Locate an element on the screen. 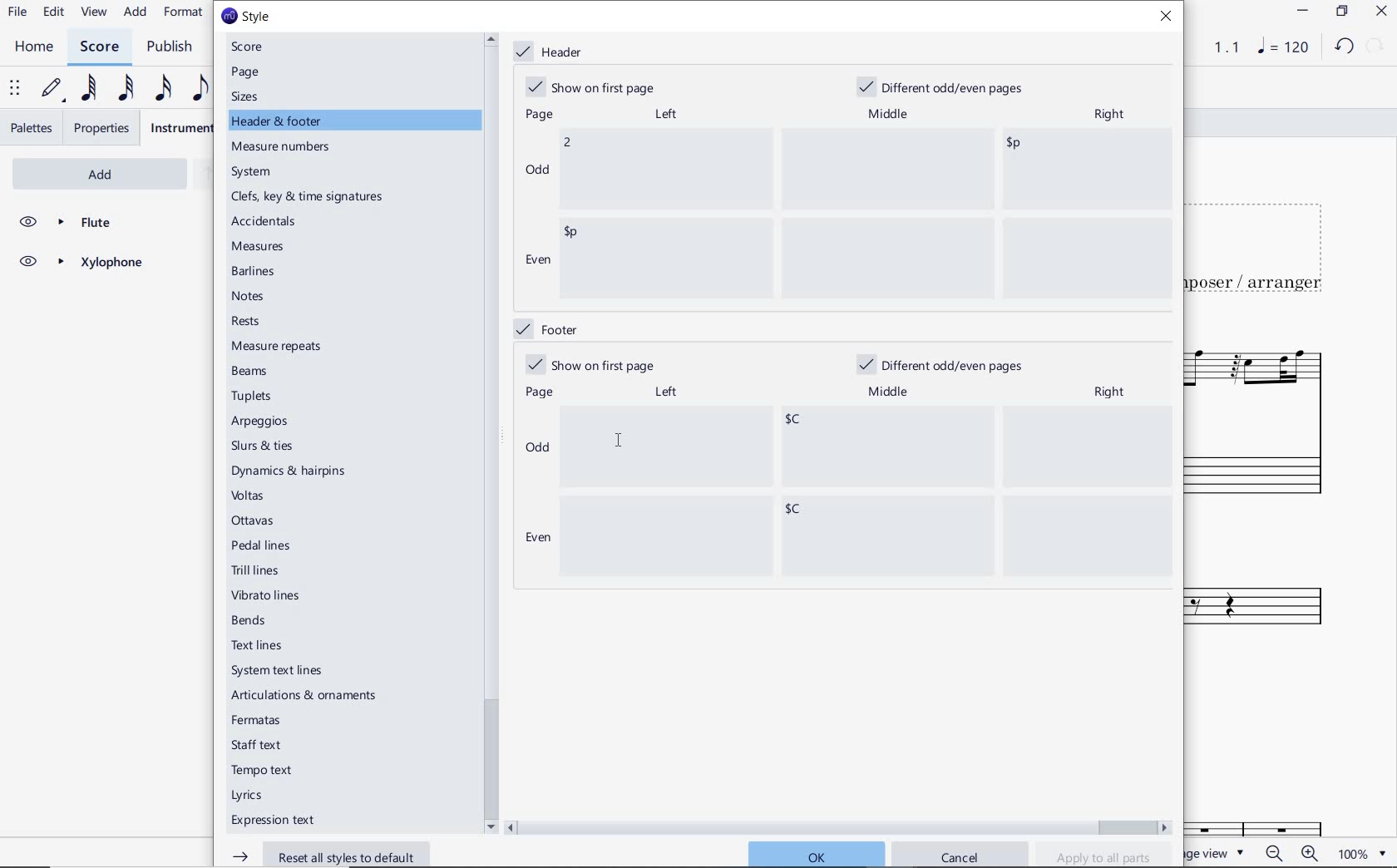  rests is located at coordinates (261, 322).